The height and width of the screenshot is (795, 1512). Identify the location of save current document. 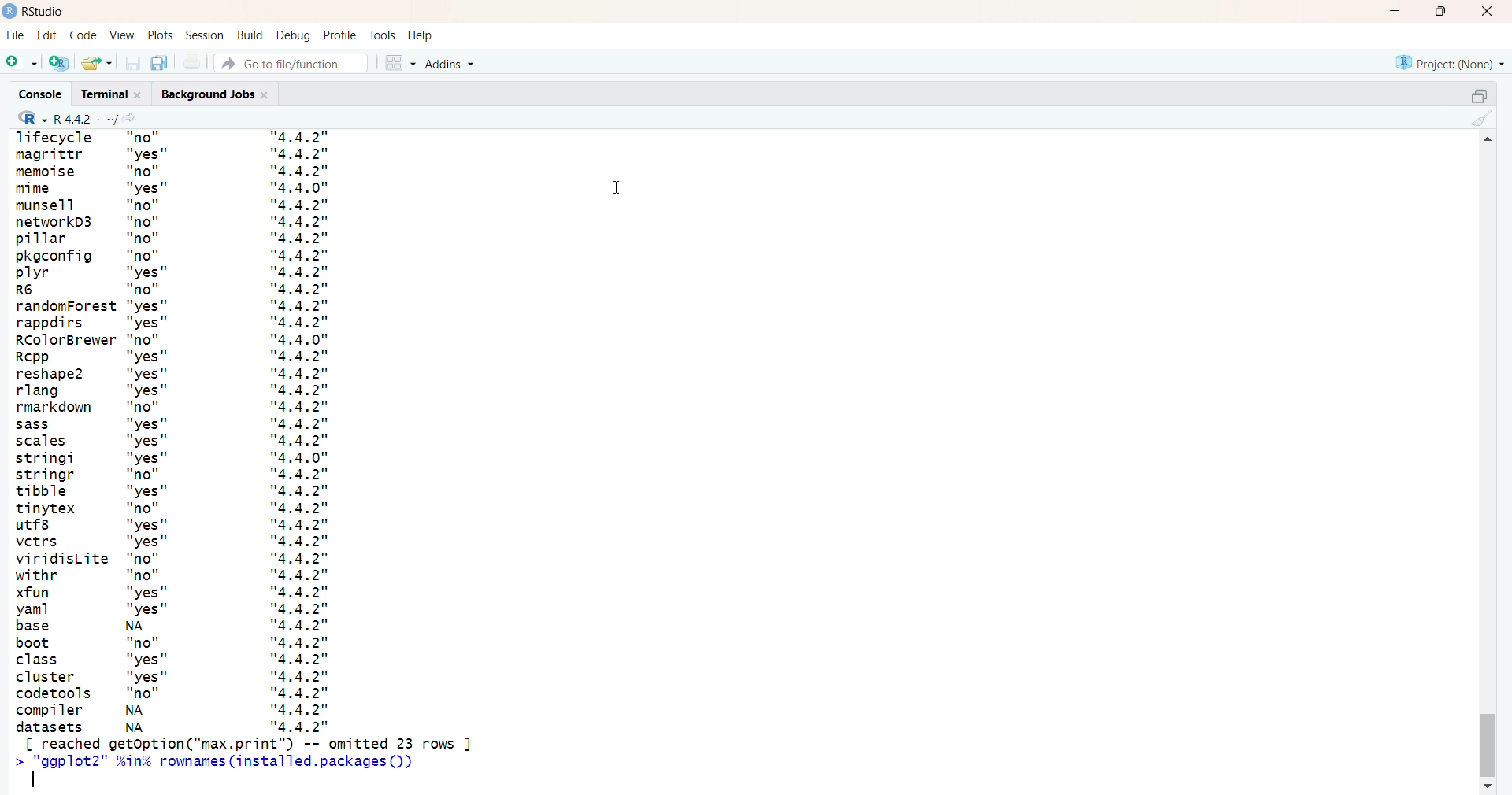
(133, 65).